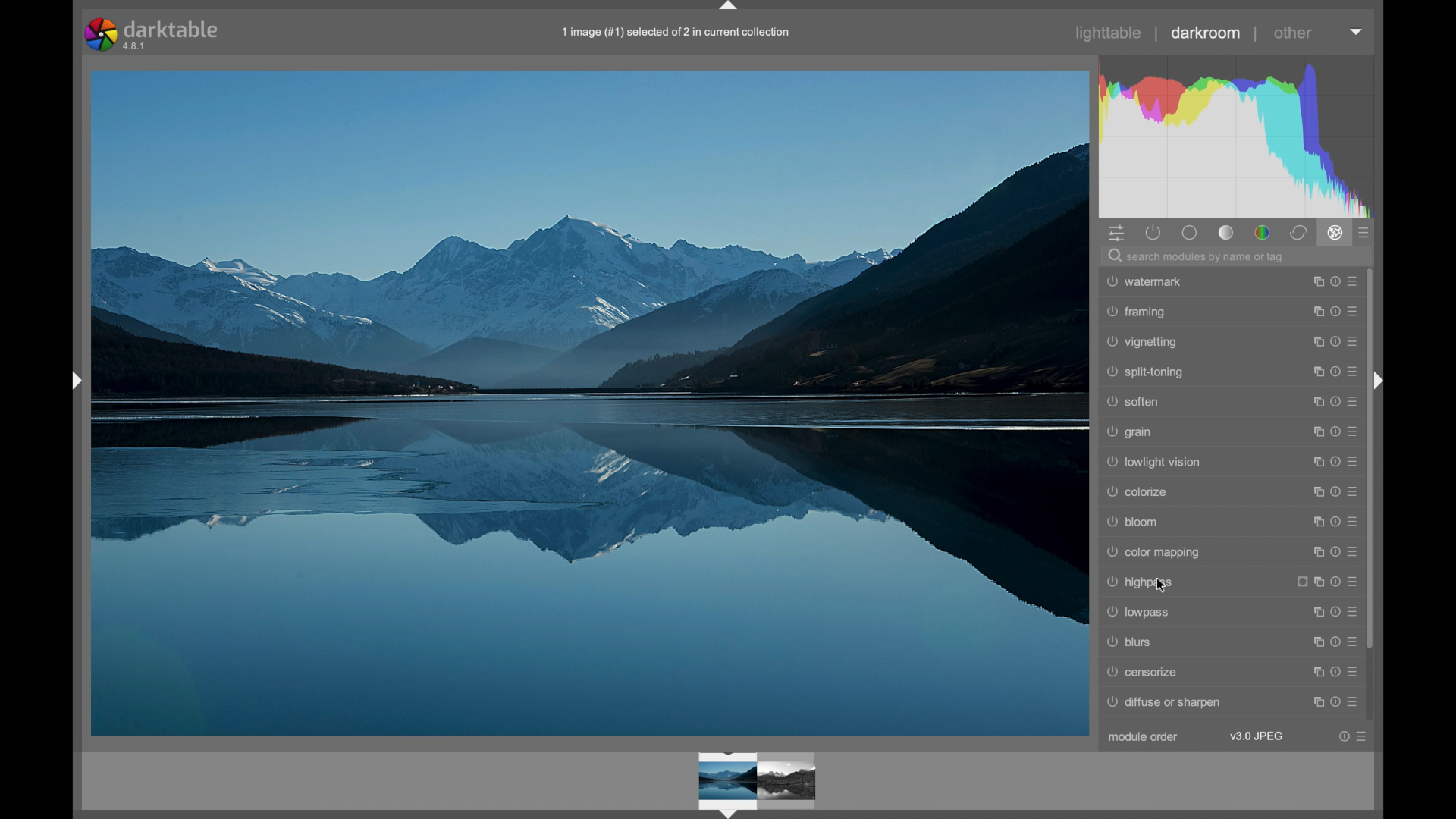 This screenshot has height=819, width=1456. Describe the element at coordinates (1139, 612) in the screenshot. I see `lowpass` at that location.